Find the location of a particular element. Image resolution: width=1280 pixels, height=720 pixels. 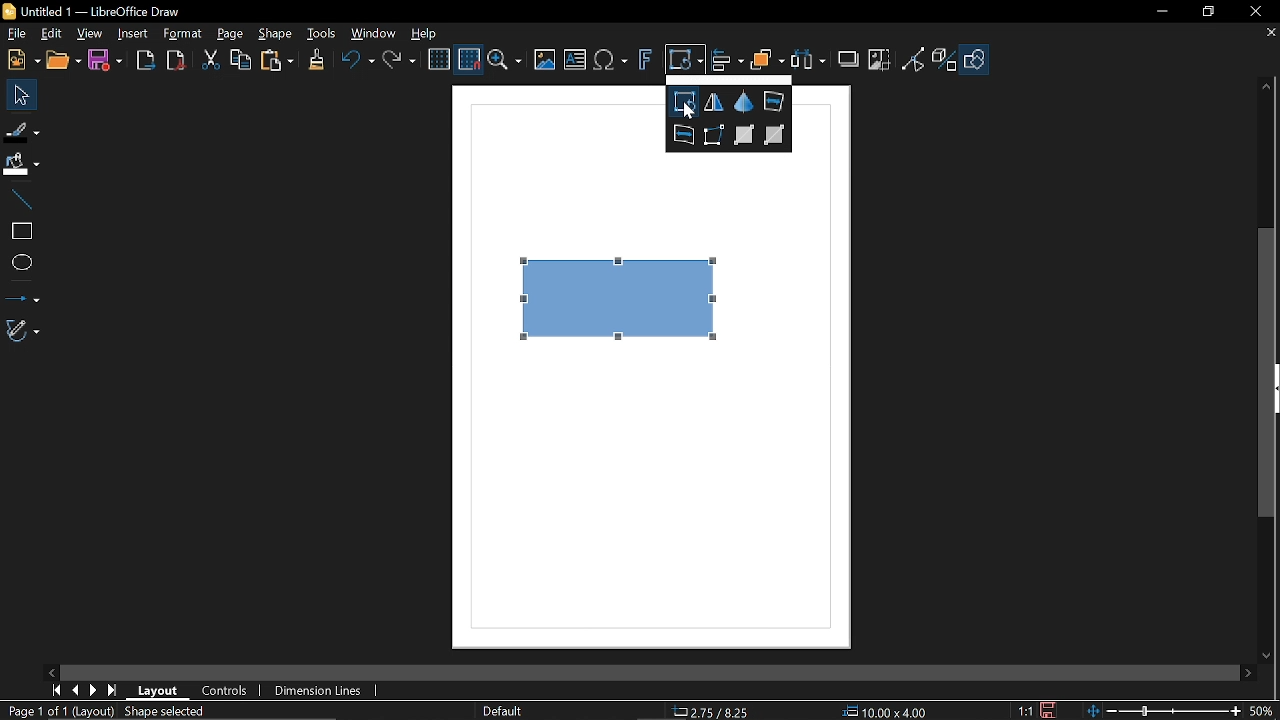

Transformation is located at coordinates (685, 62).